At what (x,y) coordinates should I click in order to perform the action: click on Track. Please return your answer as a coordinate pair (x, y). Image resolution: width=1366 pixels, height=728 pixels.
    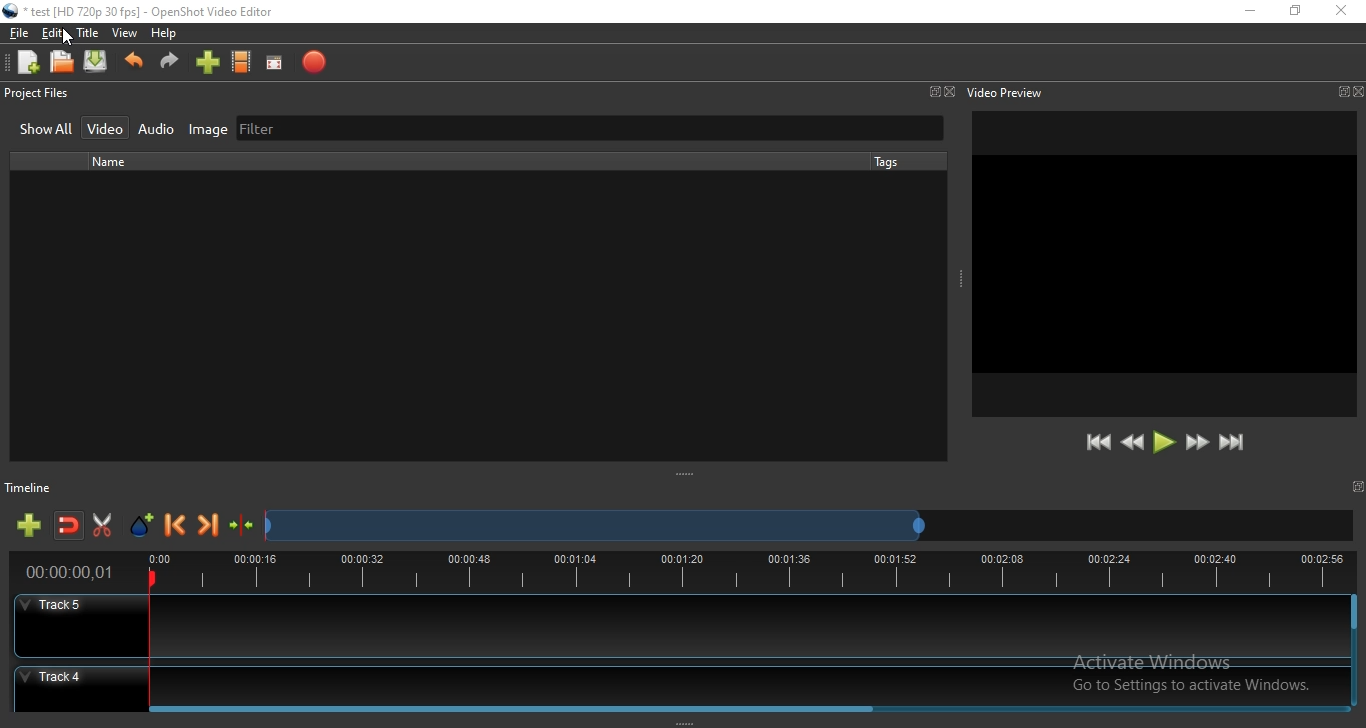
    Looking at the image, I should click on (678, 682).